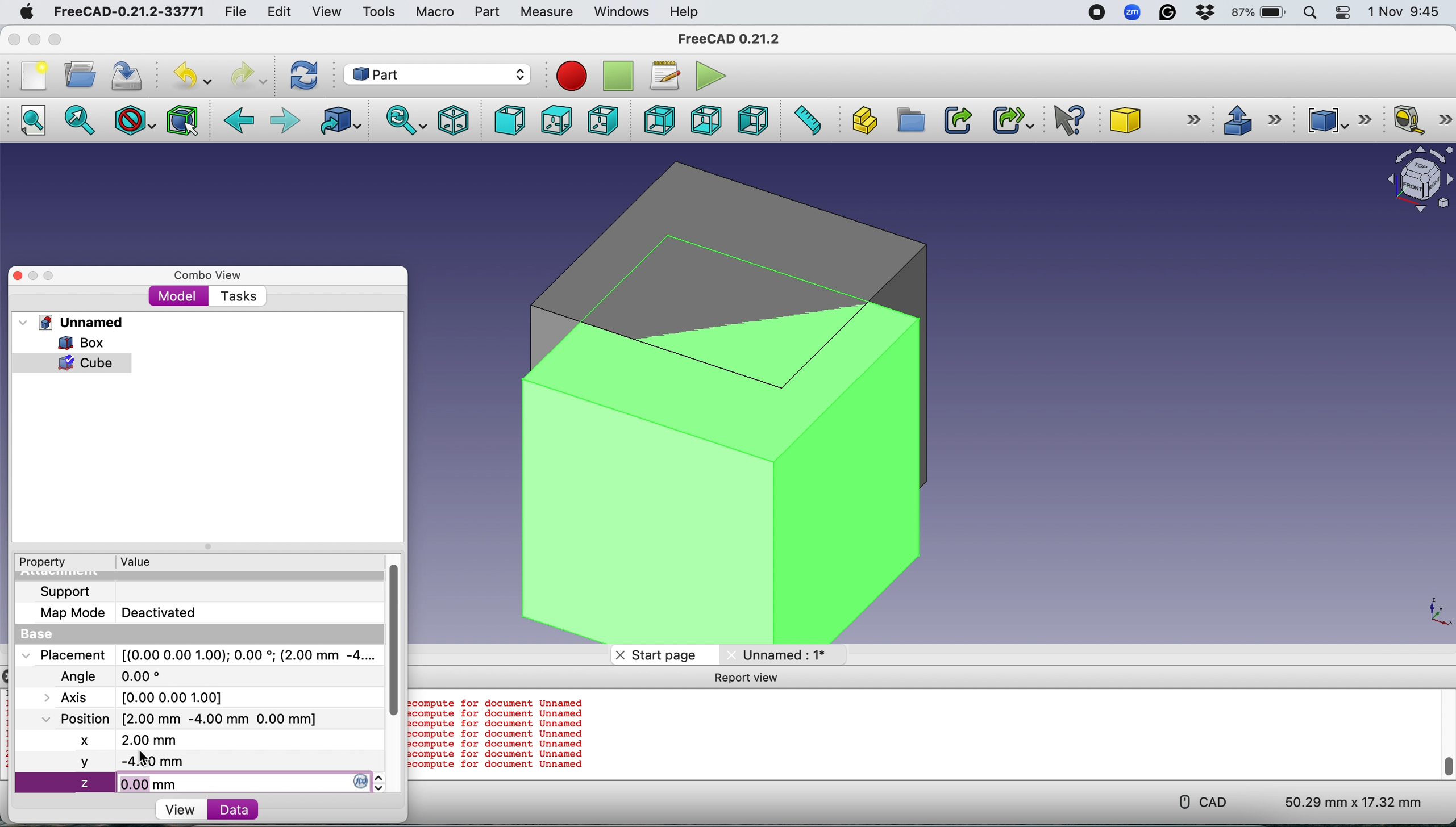 Image resolution: width=1456 pixels, height=827 pixels. Describe the element at coordinates (549, 13) in the screenshot. I see `Measure` at that location.